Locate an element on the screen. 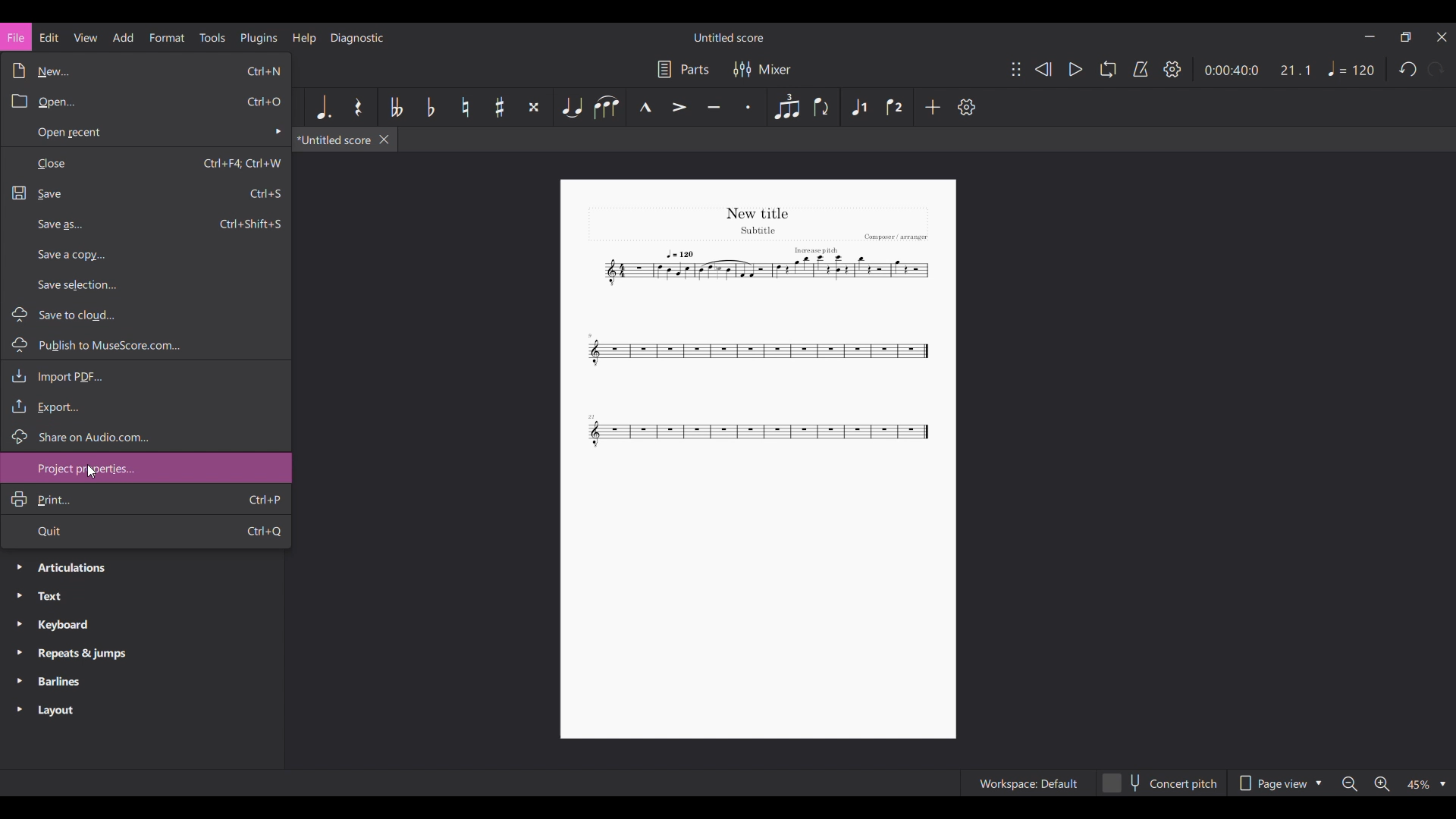 This screenshot has height=819, width=1456. Toggle natural is located at coordinates (466, 107).